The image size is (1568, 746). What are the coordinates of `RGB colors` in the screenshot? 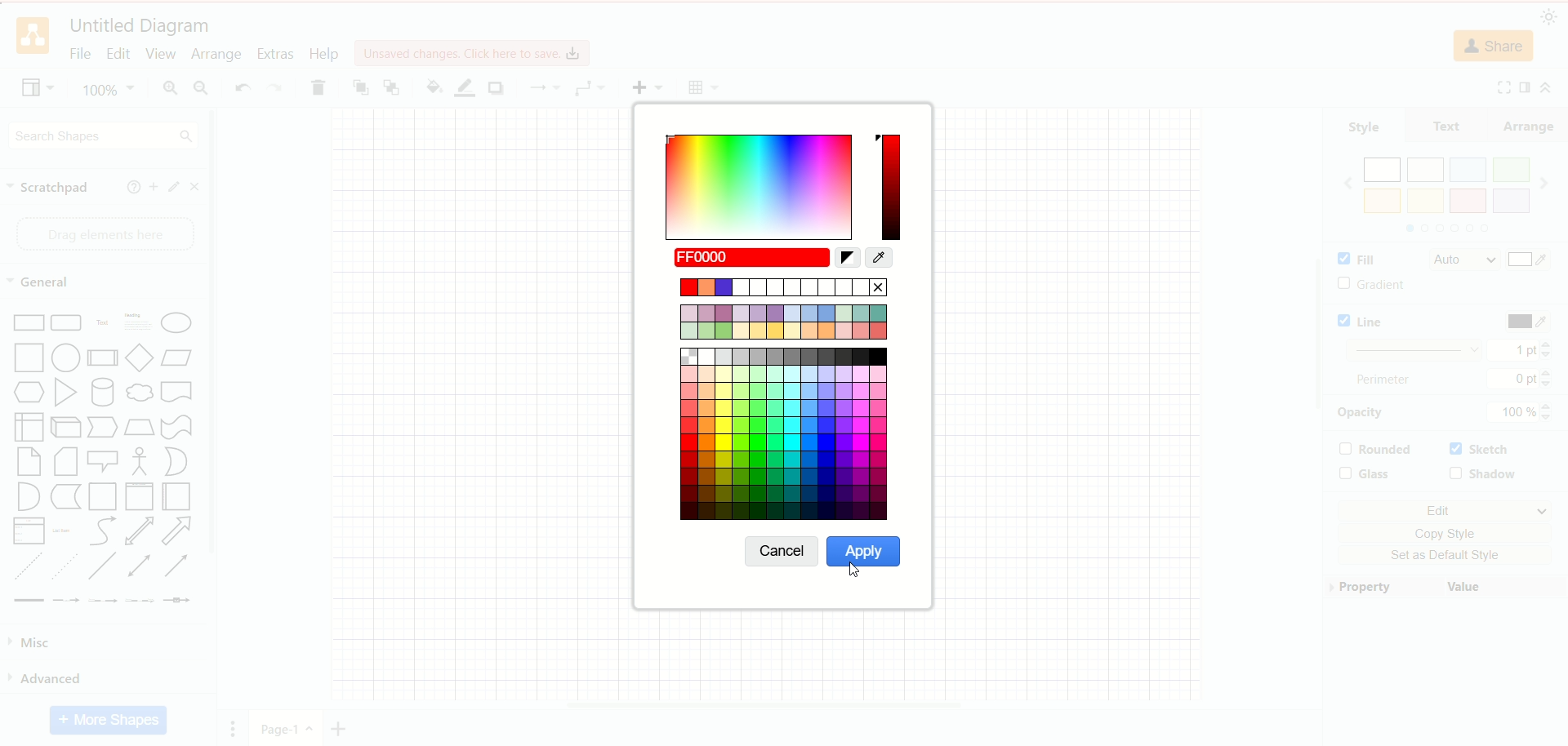 It's located at (888, 257).